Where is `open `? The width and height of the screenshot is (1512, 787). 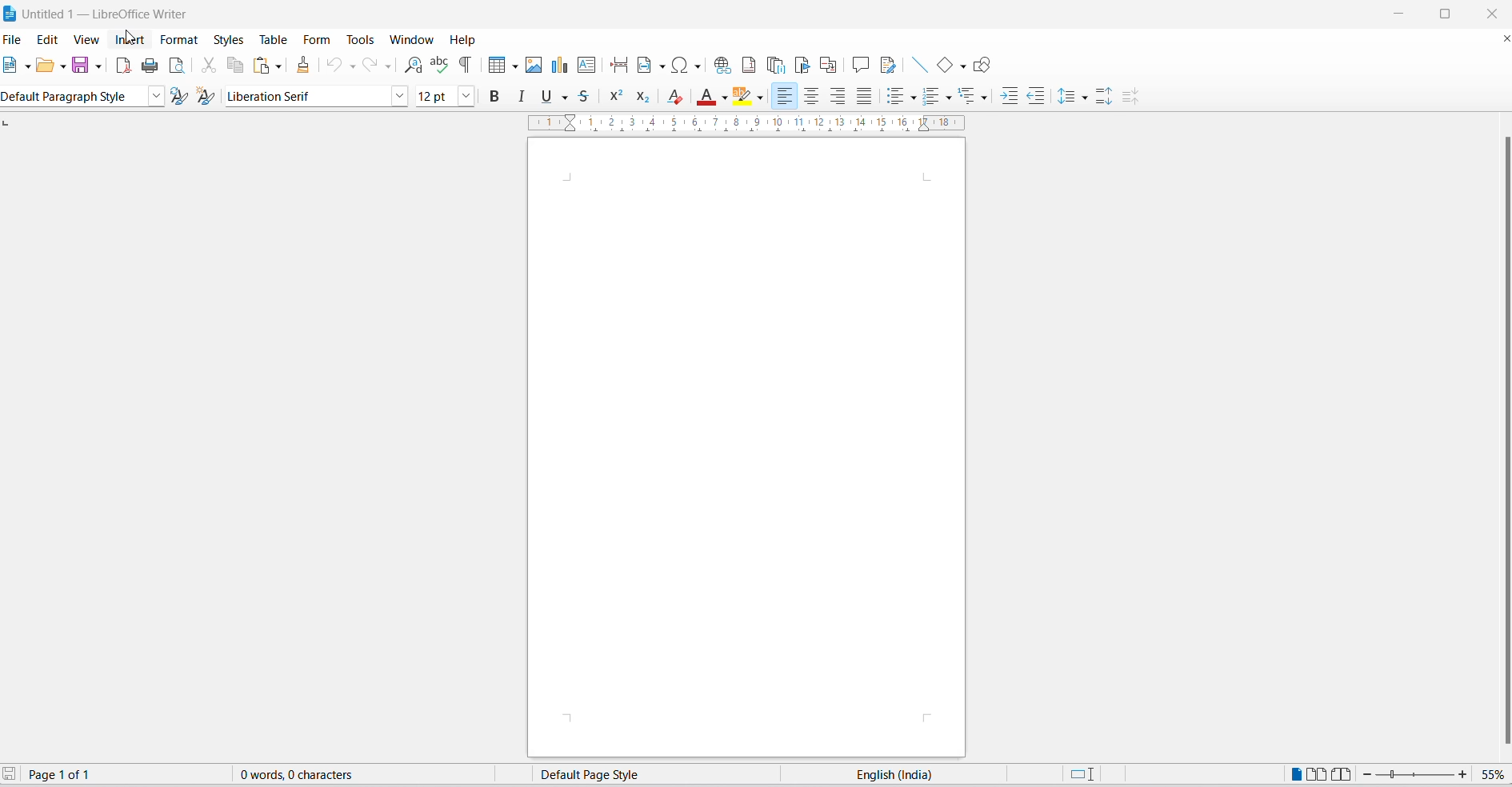 open  is located at coordinates (44, 68).